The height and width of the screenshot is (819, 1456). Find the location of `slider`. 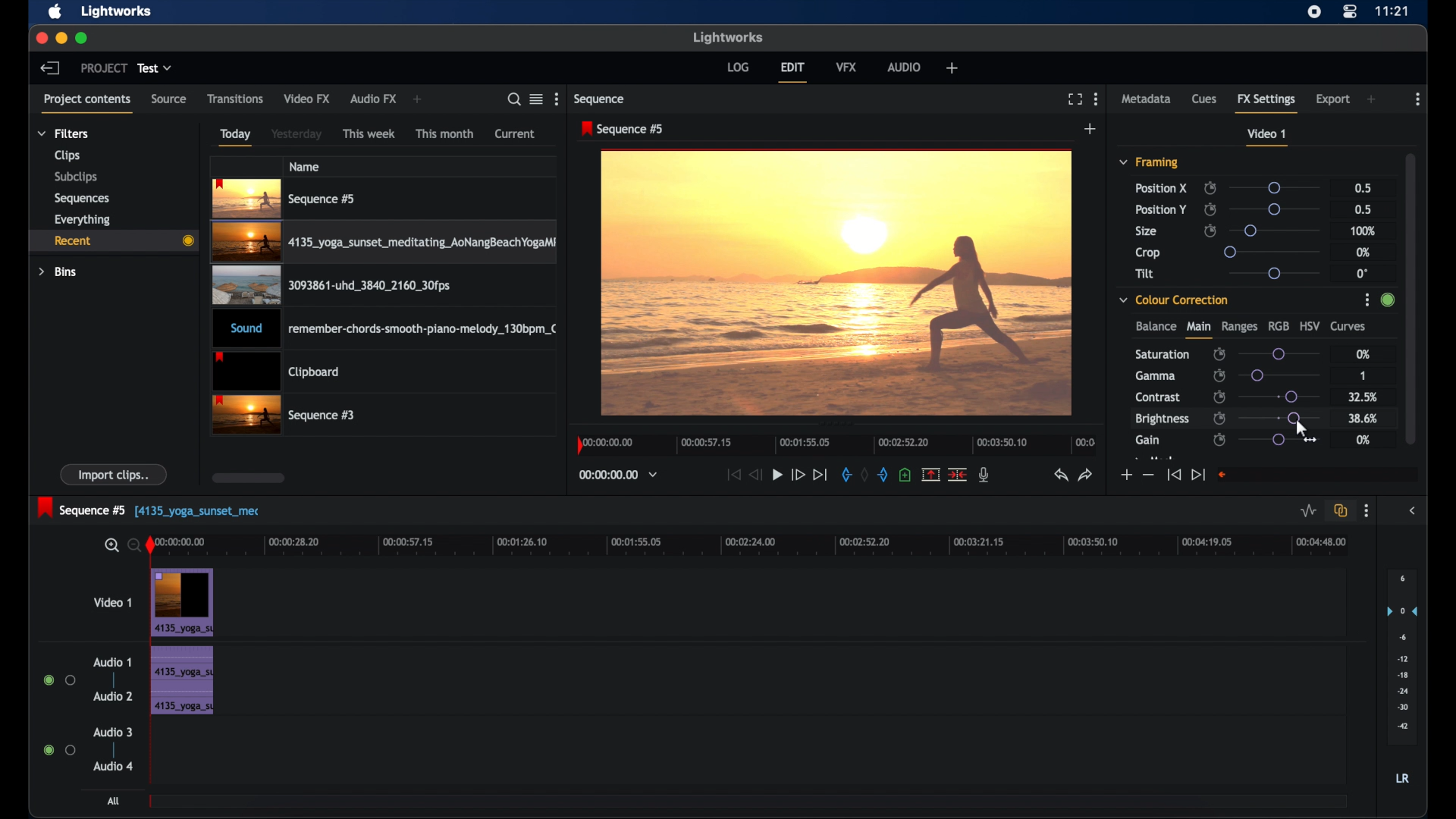

slider is located at coordinates (1278, 354).